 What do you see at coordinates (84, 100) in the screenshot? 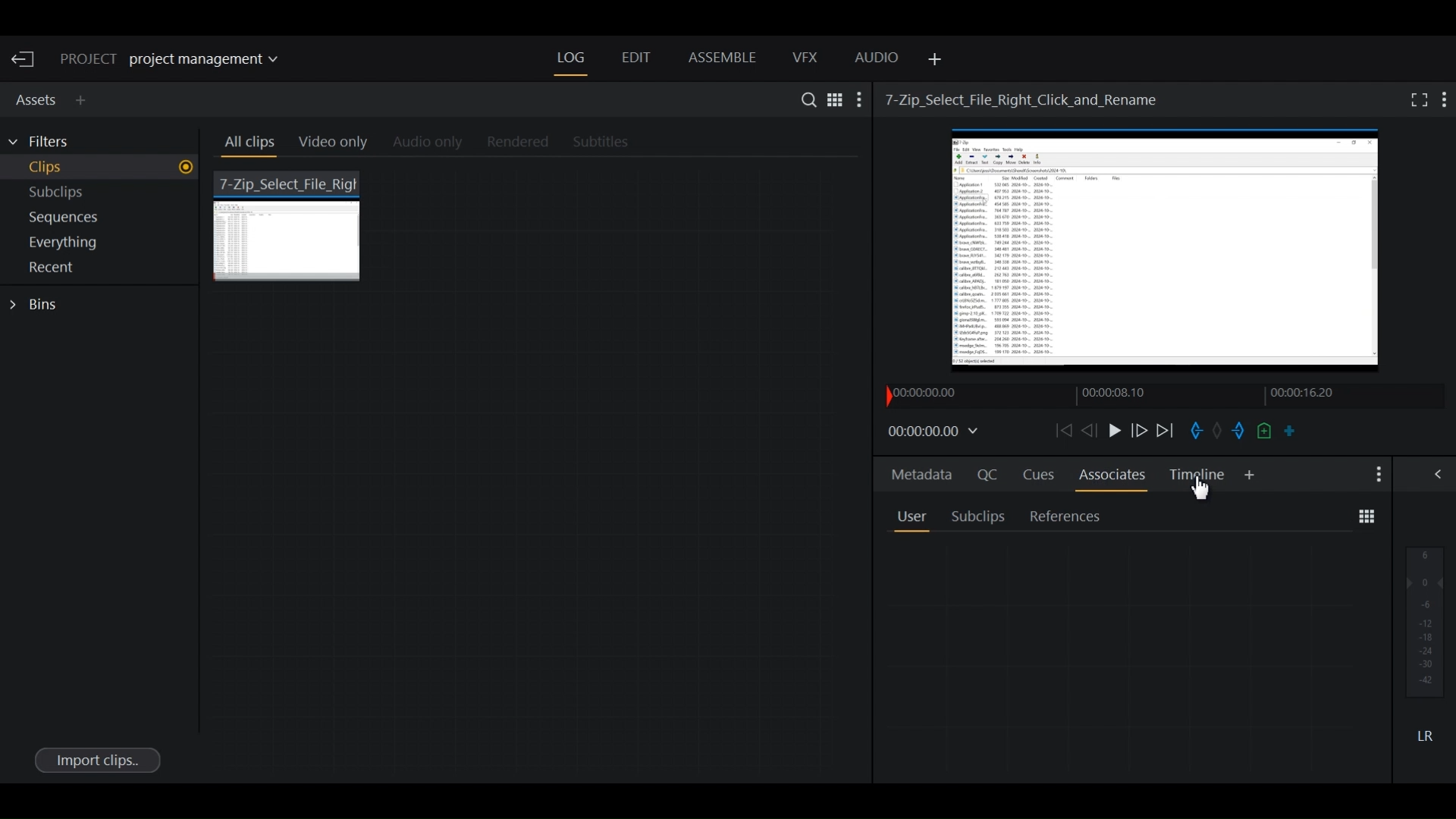
I see `Add Panel` at bounding box center [84, 100].